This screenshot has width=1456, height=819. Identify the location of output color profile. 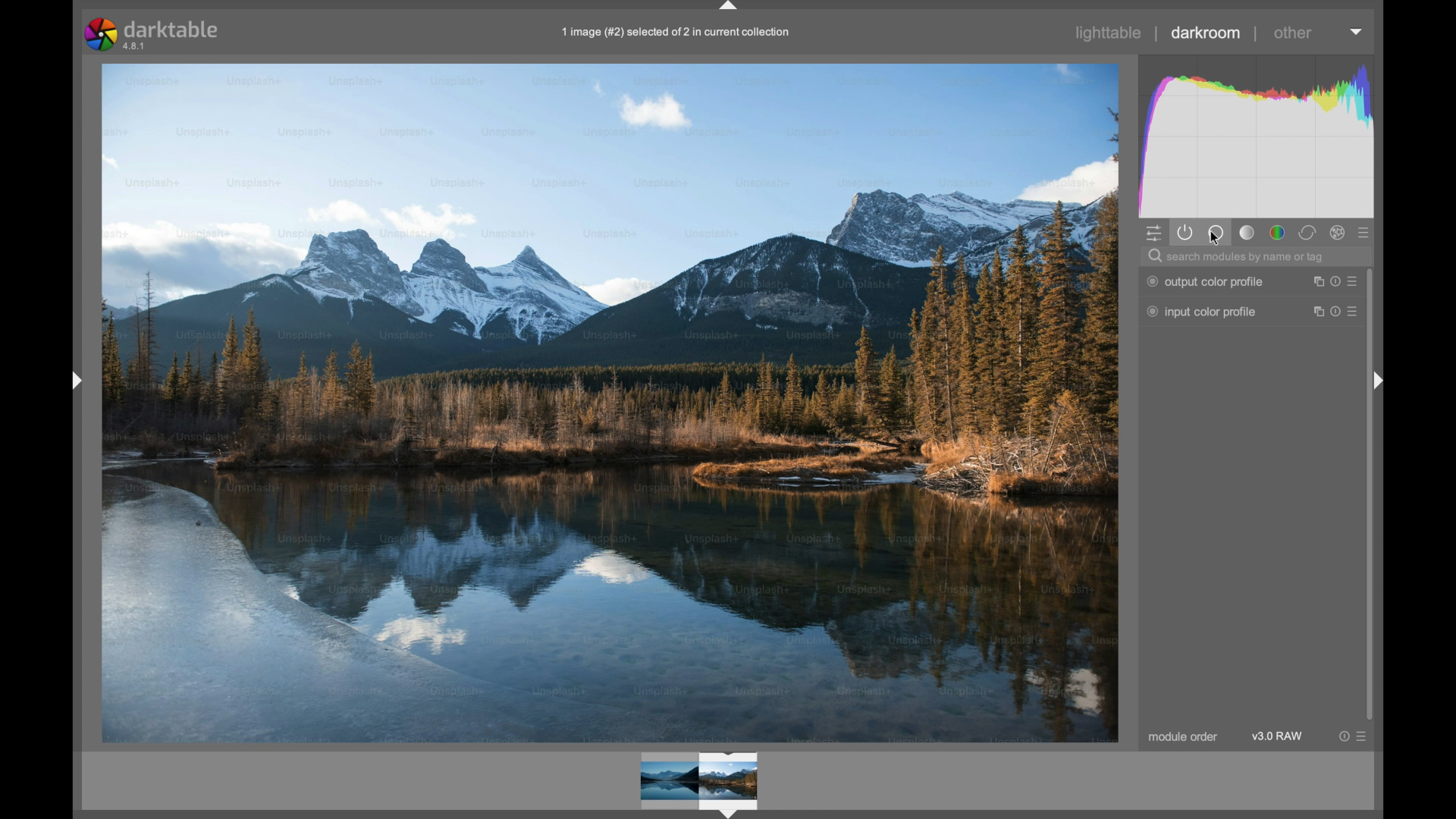
(1206, 282).